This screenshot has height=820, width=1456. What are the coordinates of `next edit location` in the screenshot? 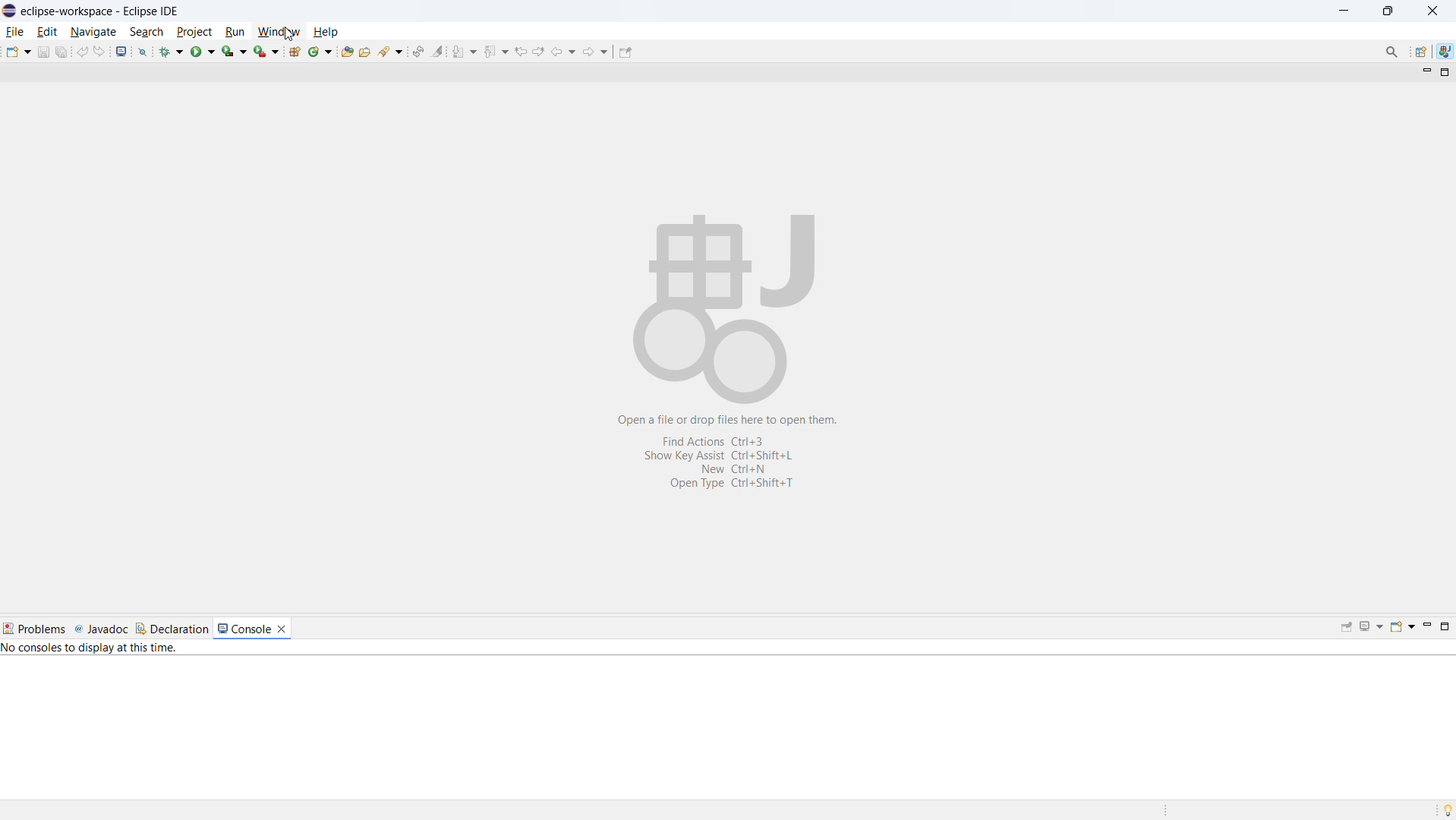 It's located at (538, 51).